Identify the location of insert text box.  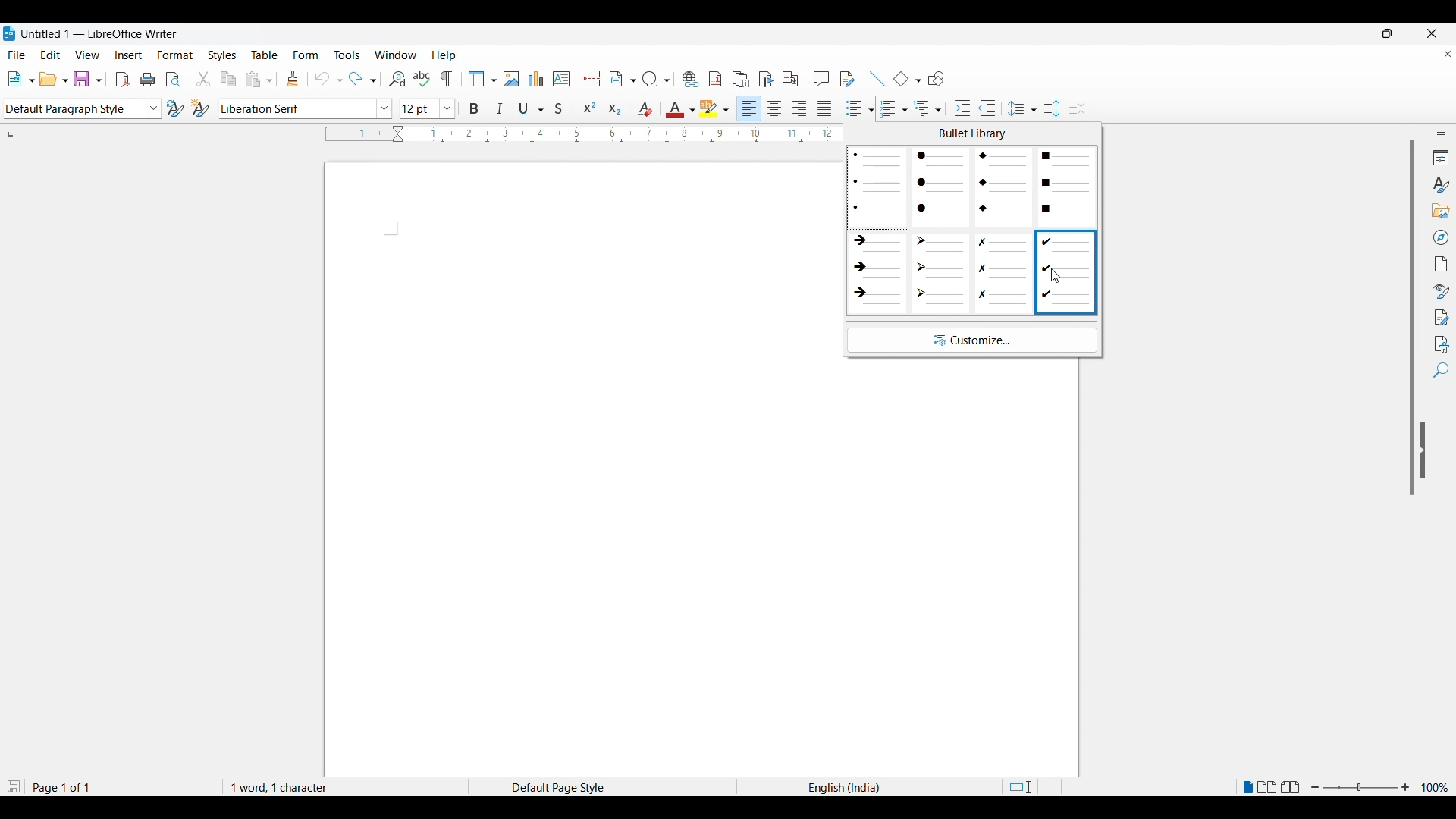
(563, 78).